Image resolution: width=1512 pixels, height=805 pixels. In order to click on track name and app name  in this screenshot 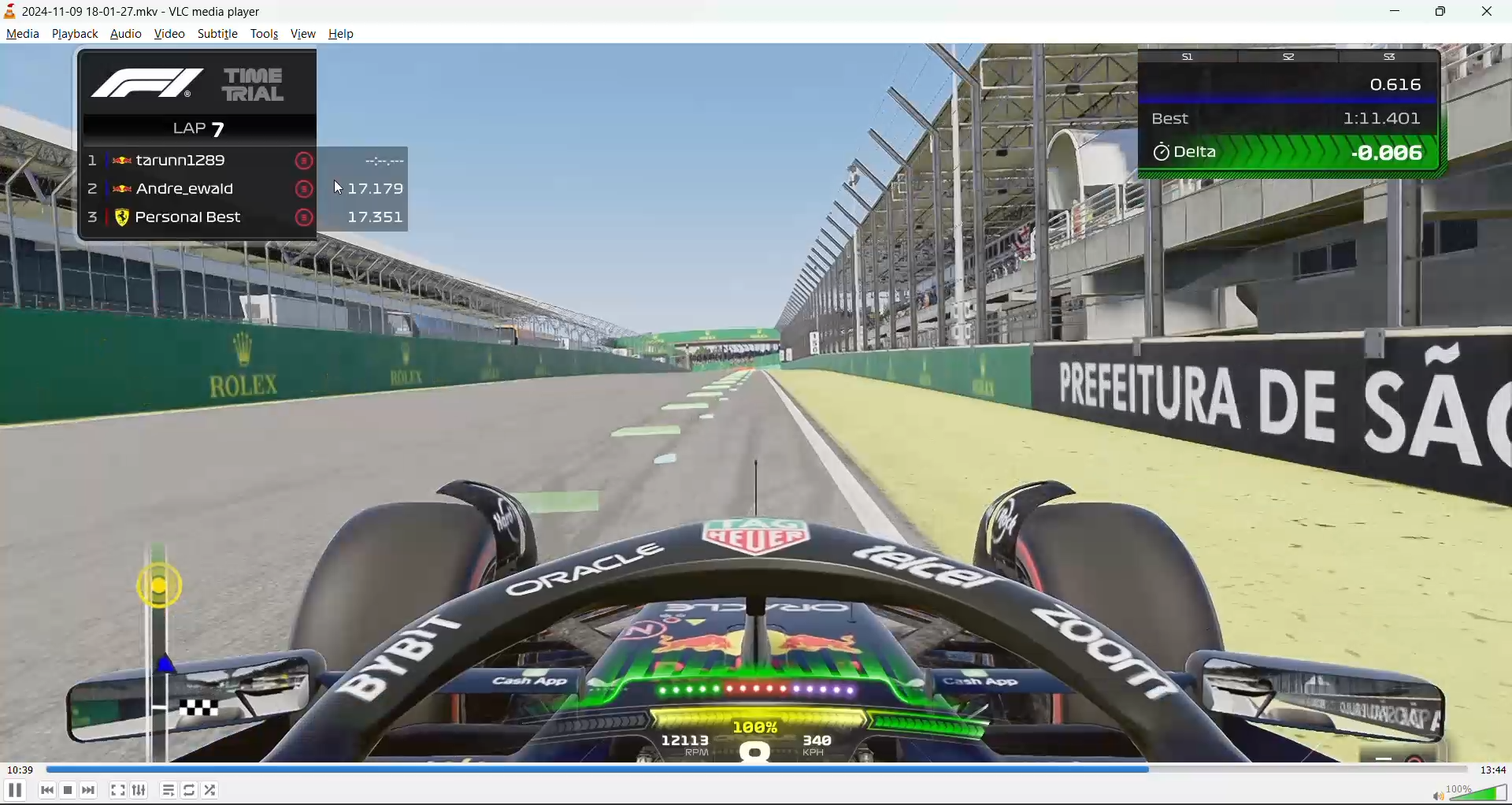, I will do `click(129, 13)`.